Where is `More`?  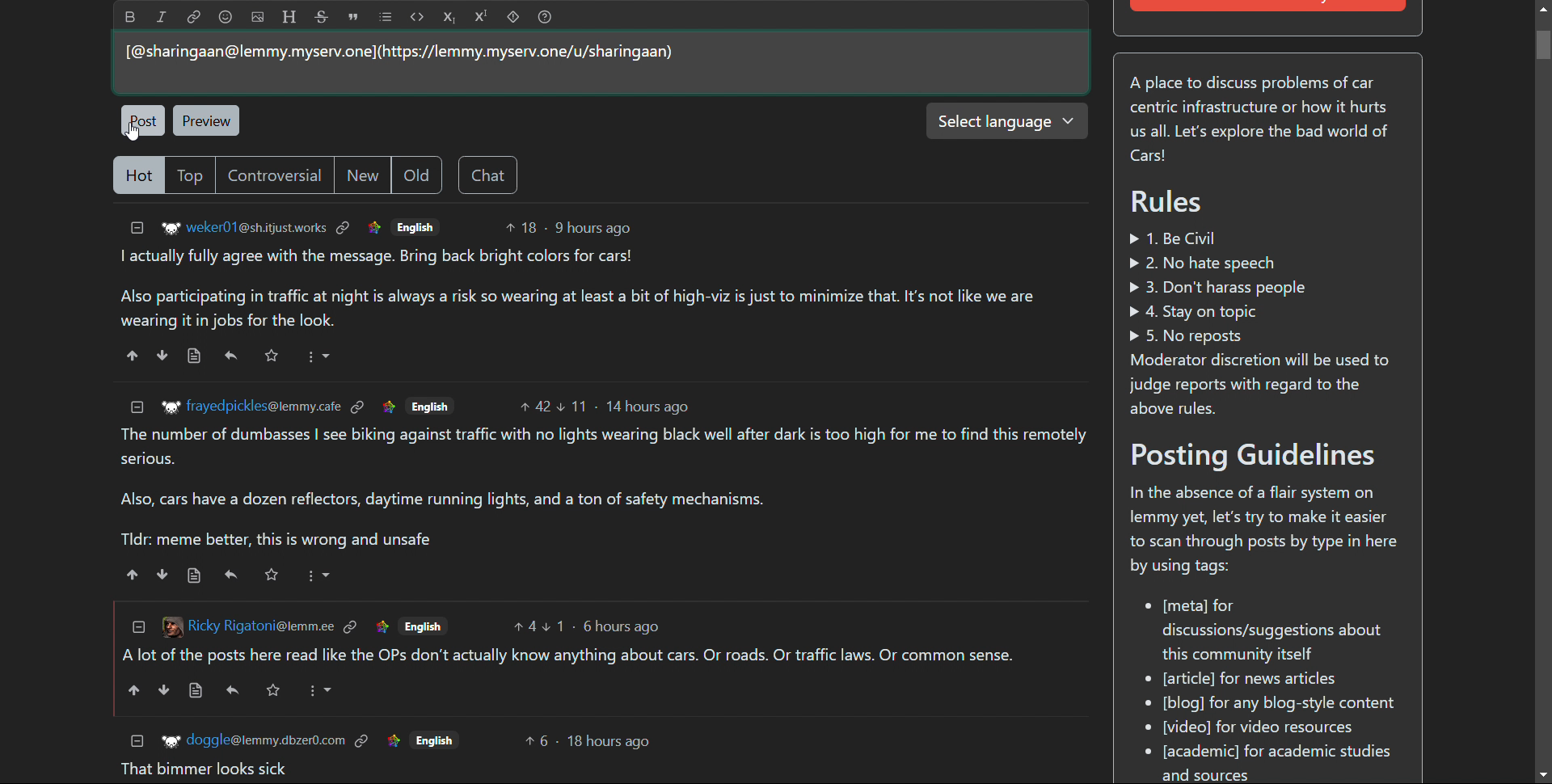 More is located at coordinates (320, 691).